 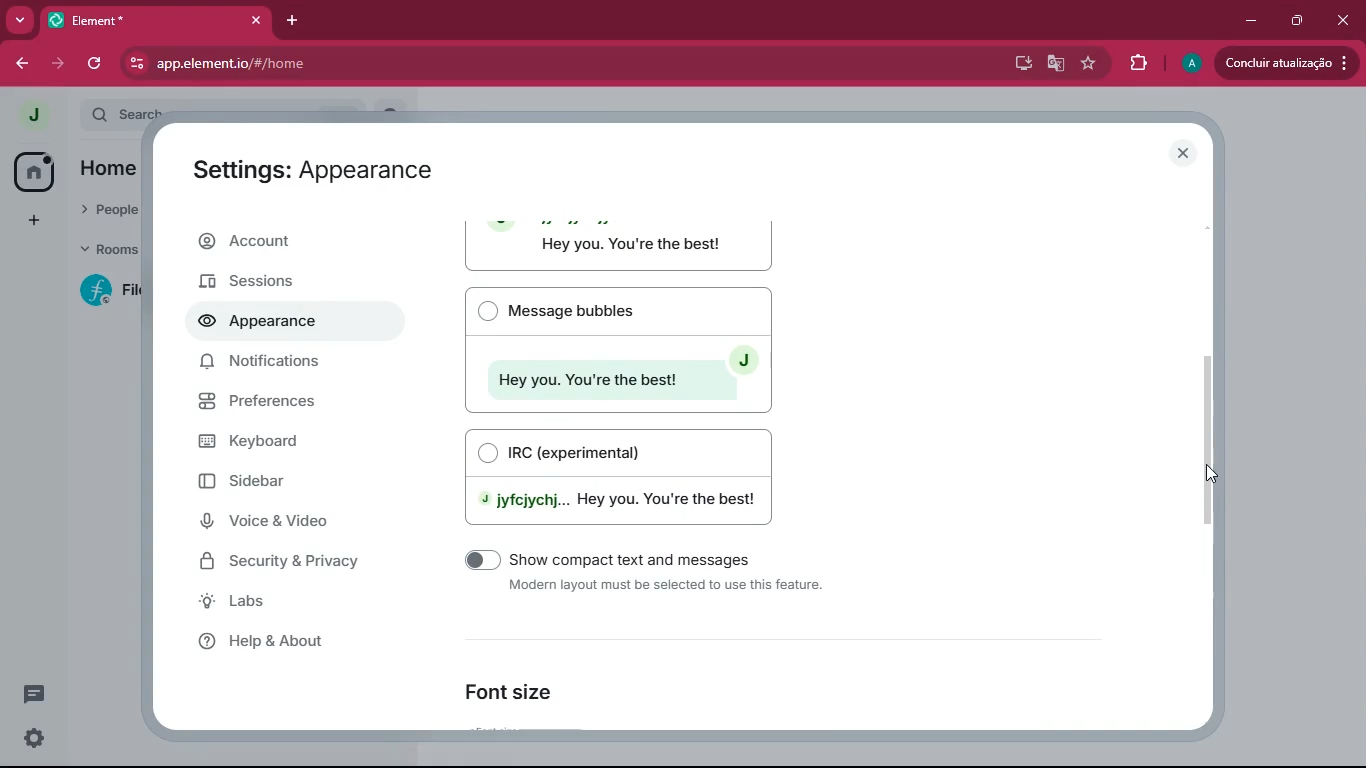 What do you see at coordinates (289, 522) in the screenshot?
I see `voice` at bounding box center [289, 522].